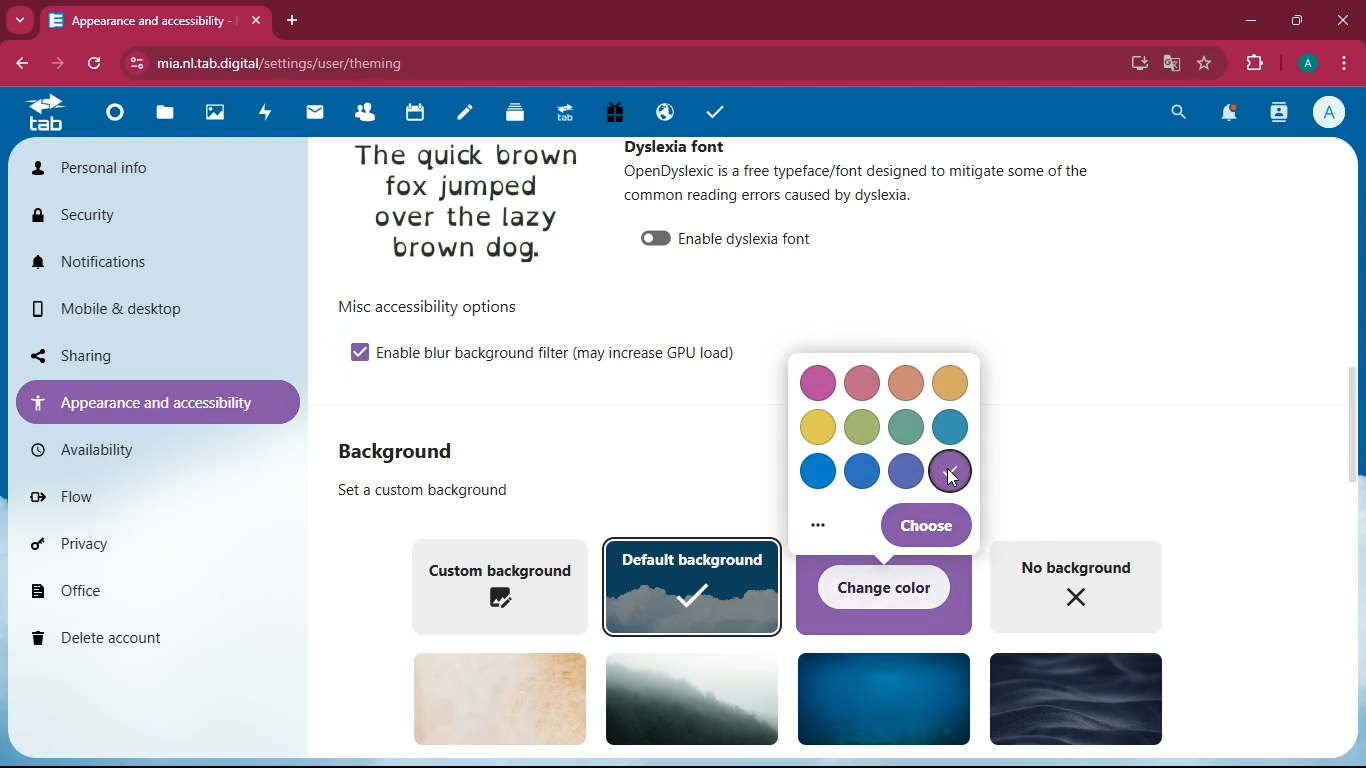  I want to click on notes, so click(461, 115).